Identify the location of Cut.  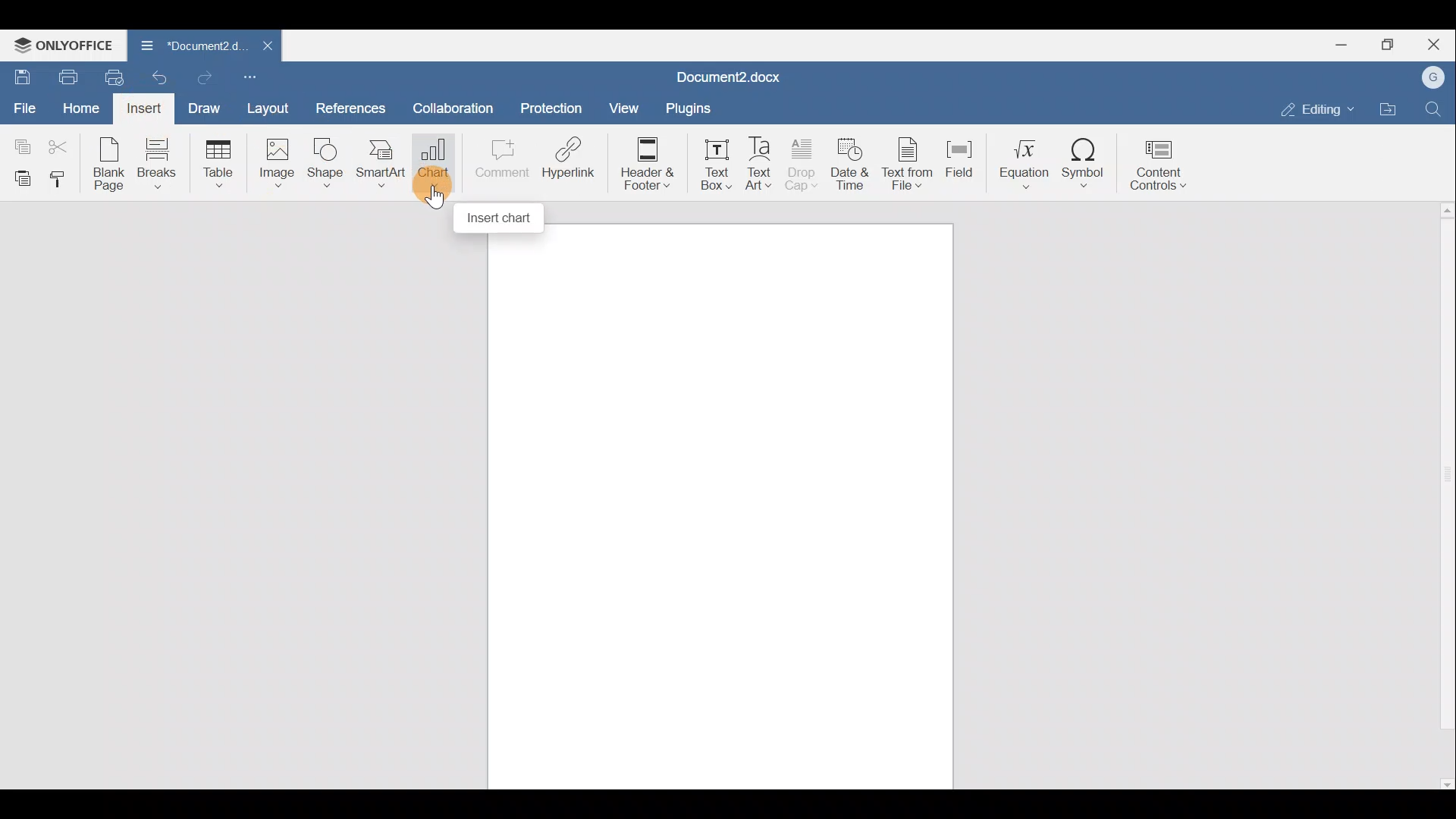
(59, 146).